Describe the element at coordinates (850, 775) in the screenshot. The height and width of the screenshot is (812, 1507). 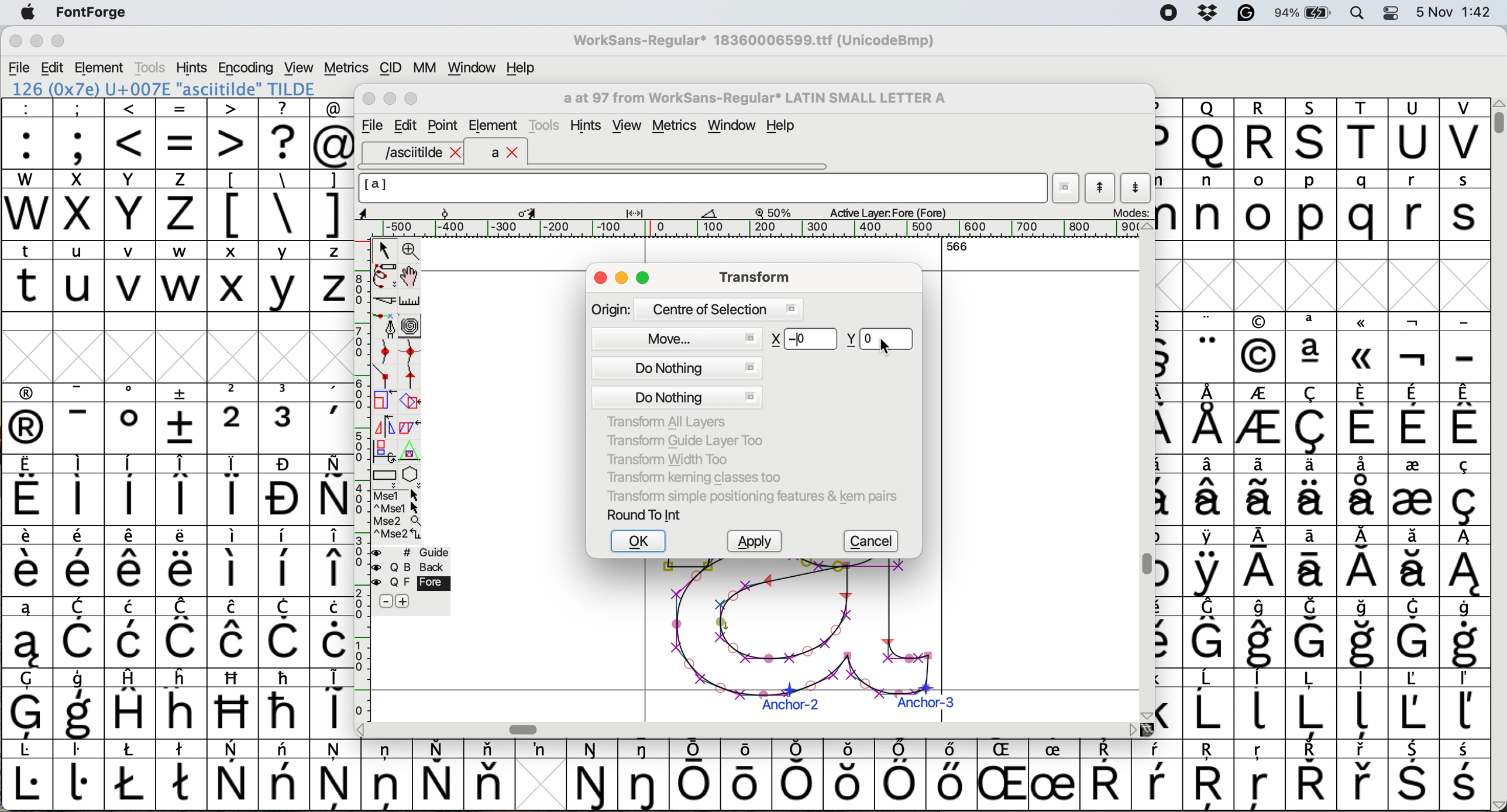
I see `` at that location.